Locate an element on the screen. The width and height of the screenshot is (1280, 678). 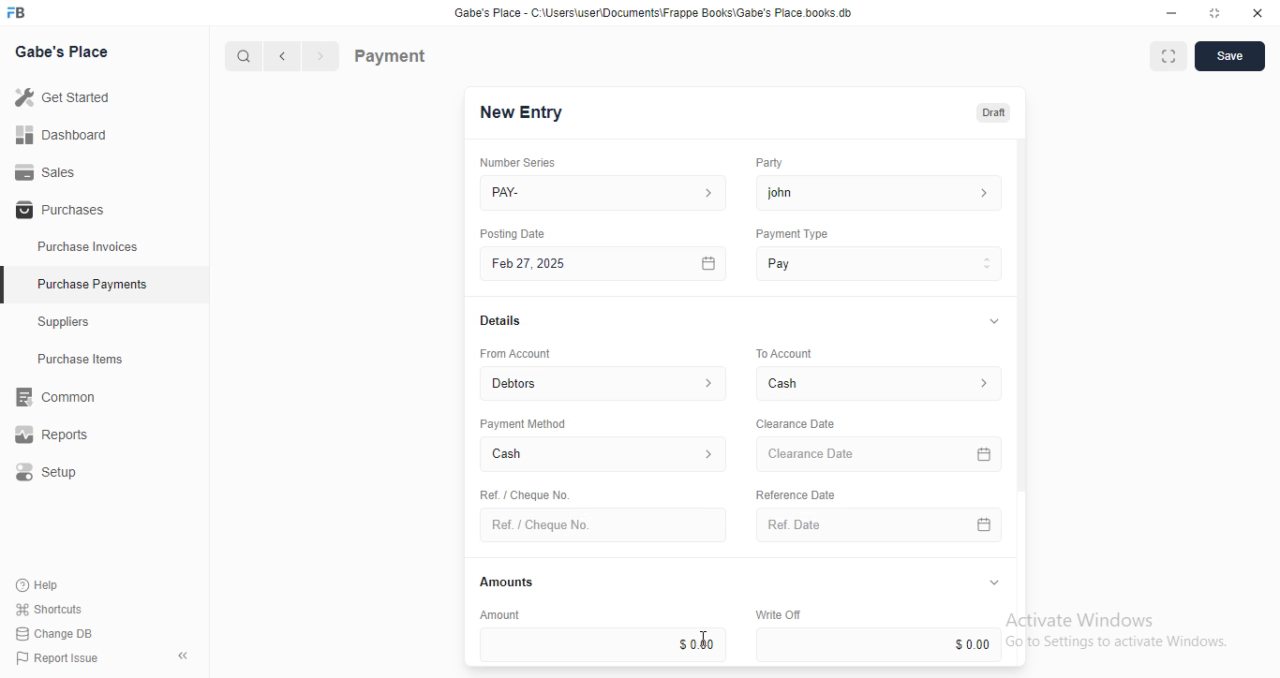
Reference Date is located at coordinates (794, 493).